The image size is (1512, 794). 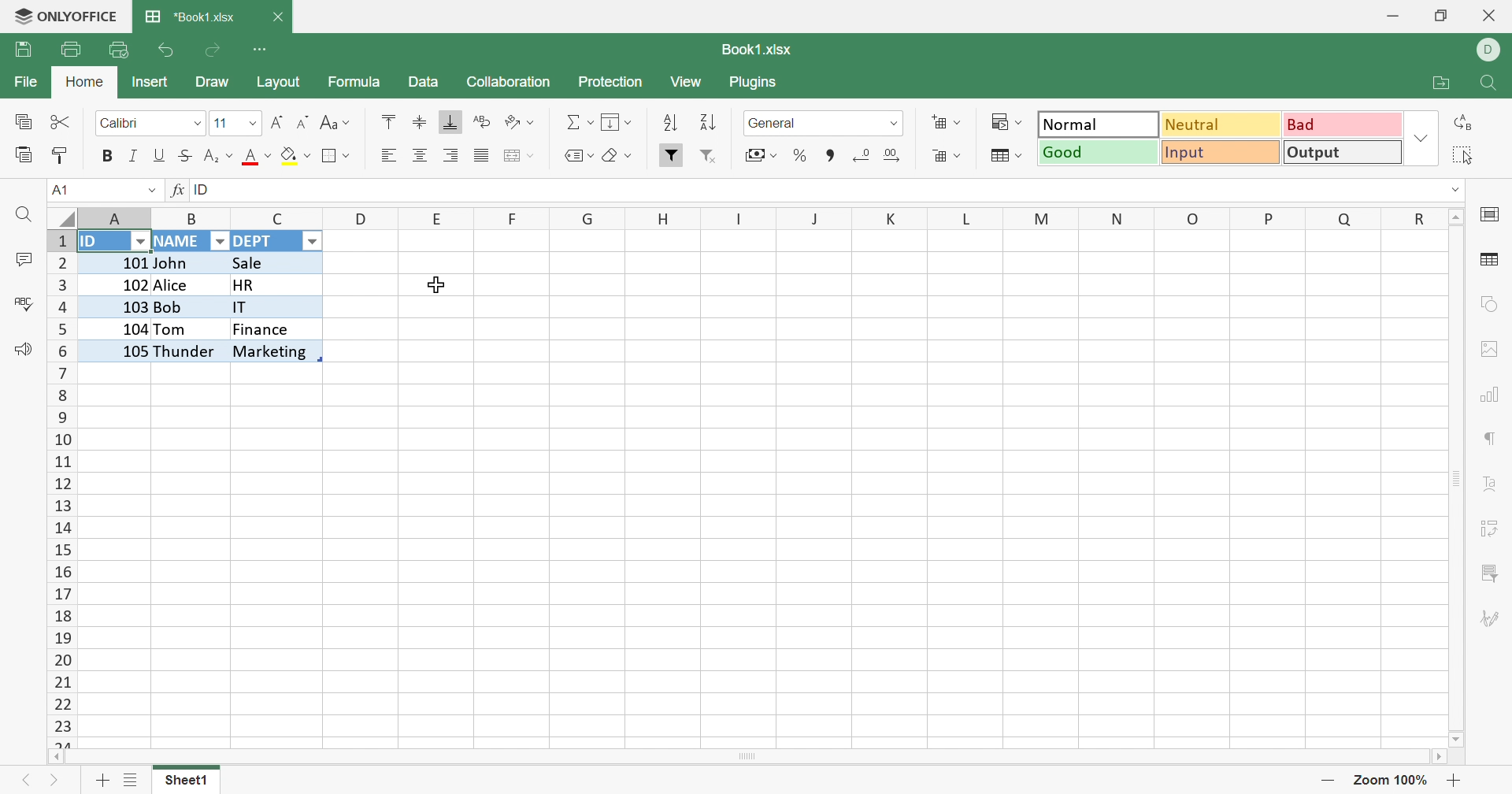 What do you see at coordinates (31, 784) in the screenshot?
I see `Previous` at bounding box center [31, 784].